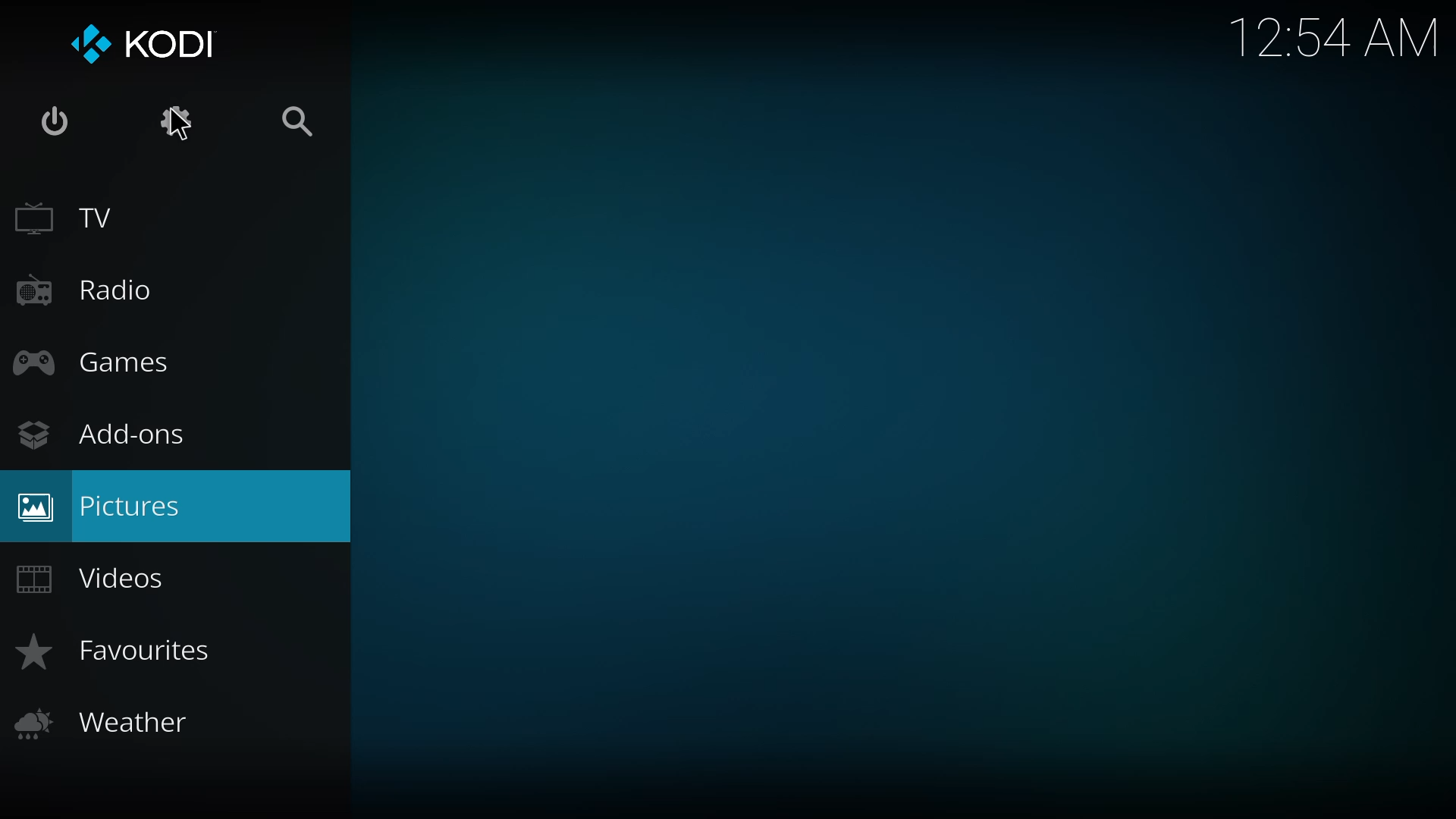  I want to click on add-ons, so click(102, 432).